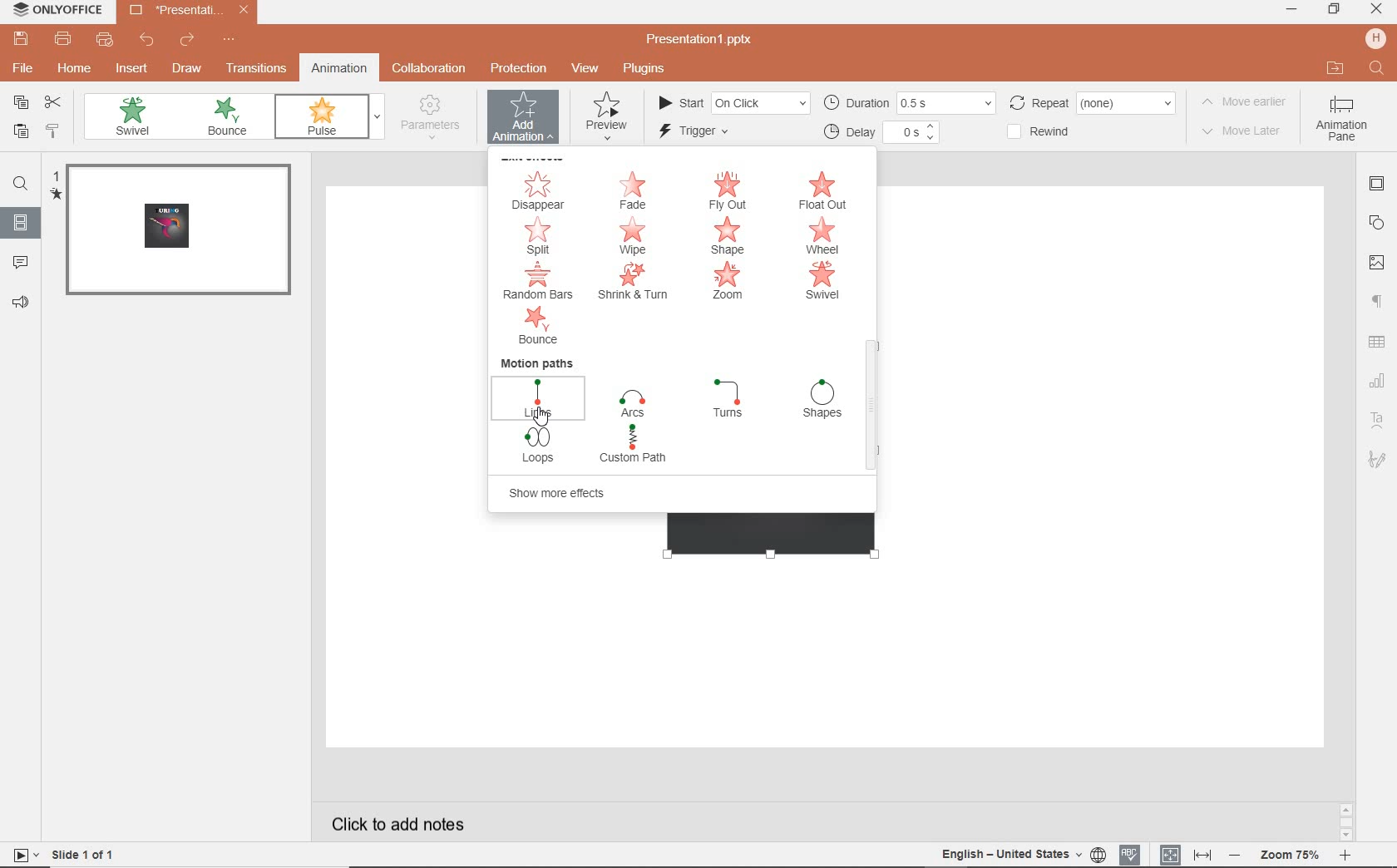 The image size is (1397, 868). I want to click on save, so click(21, 38).